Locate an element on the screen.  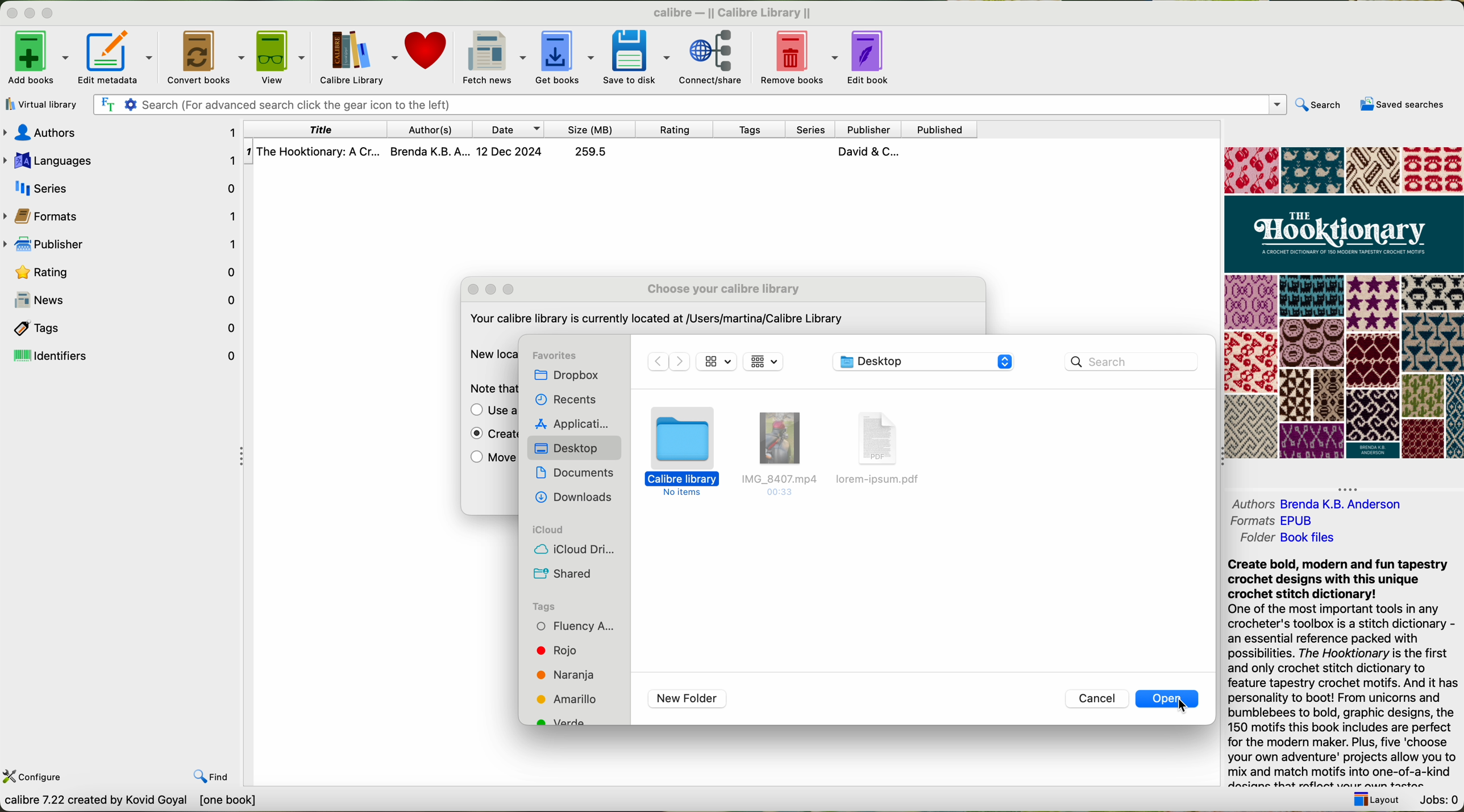
tag is located at coordinates (568, 699).